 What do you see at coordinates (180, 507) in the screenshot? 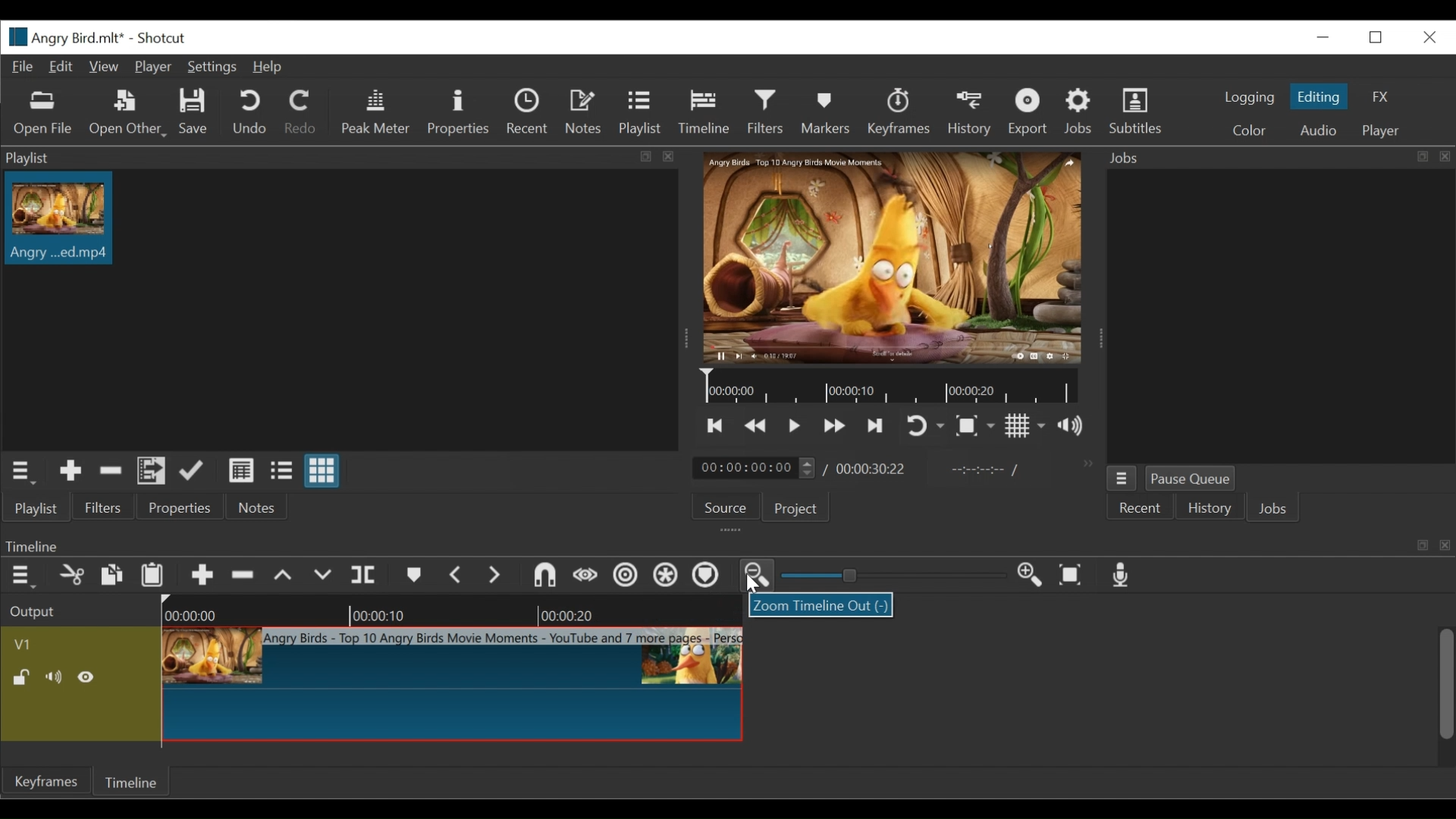
I see `Properties` at bounding box center [180, 507].